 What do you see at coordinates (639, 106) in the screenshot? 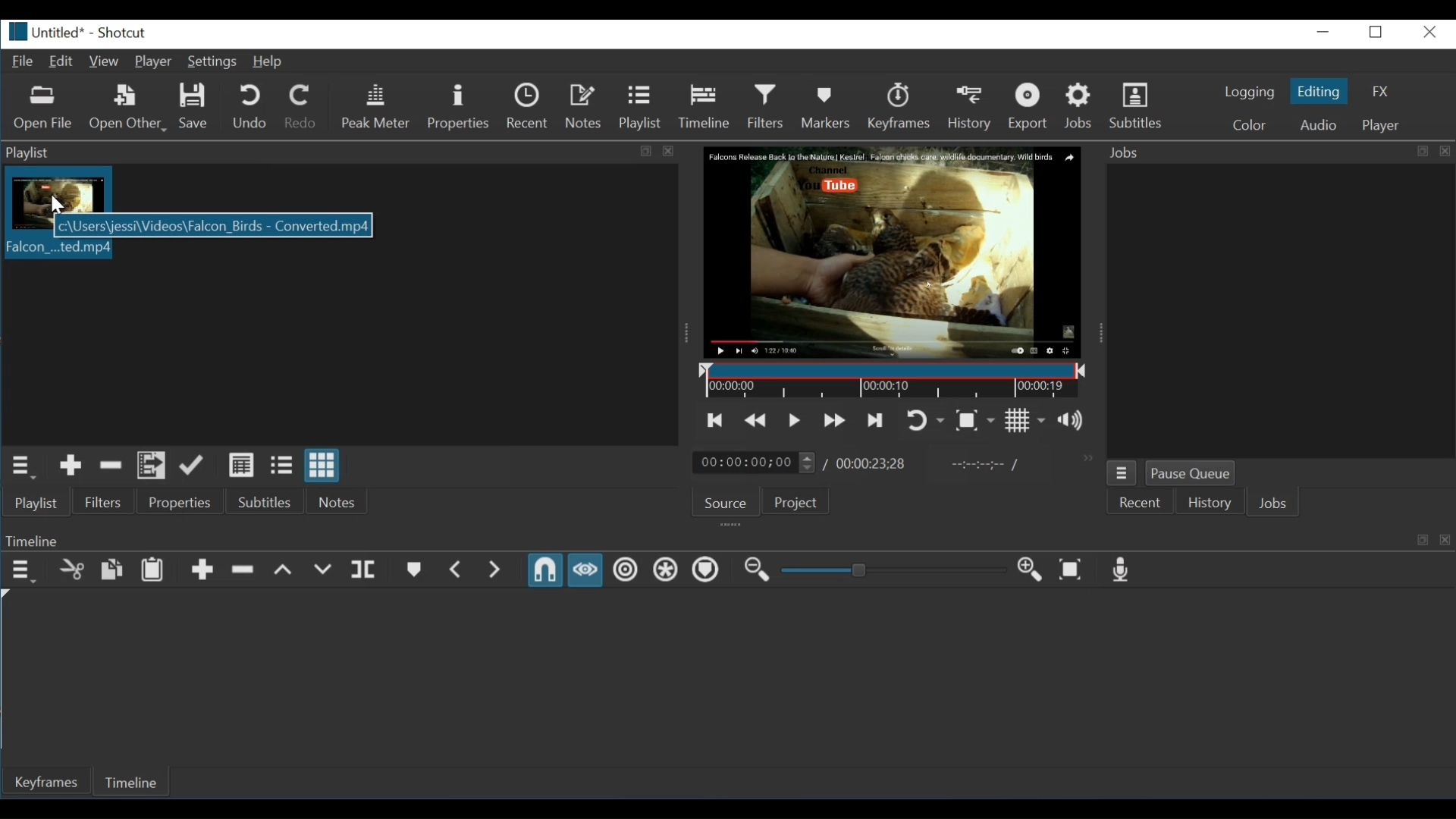
I see `Playlist` at bounding box center [639, 106].